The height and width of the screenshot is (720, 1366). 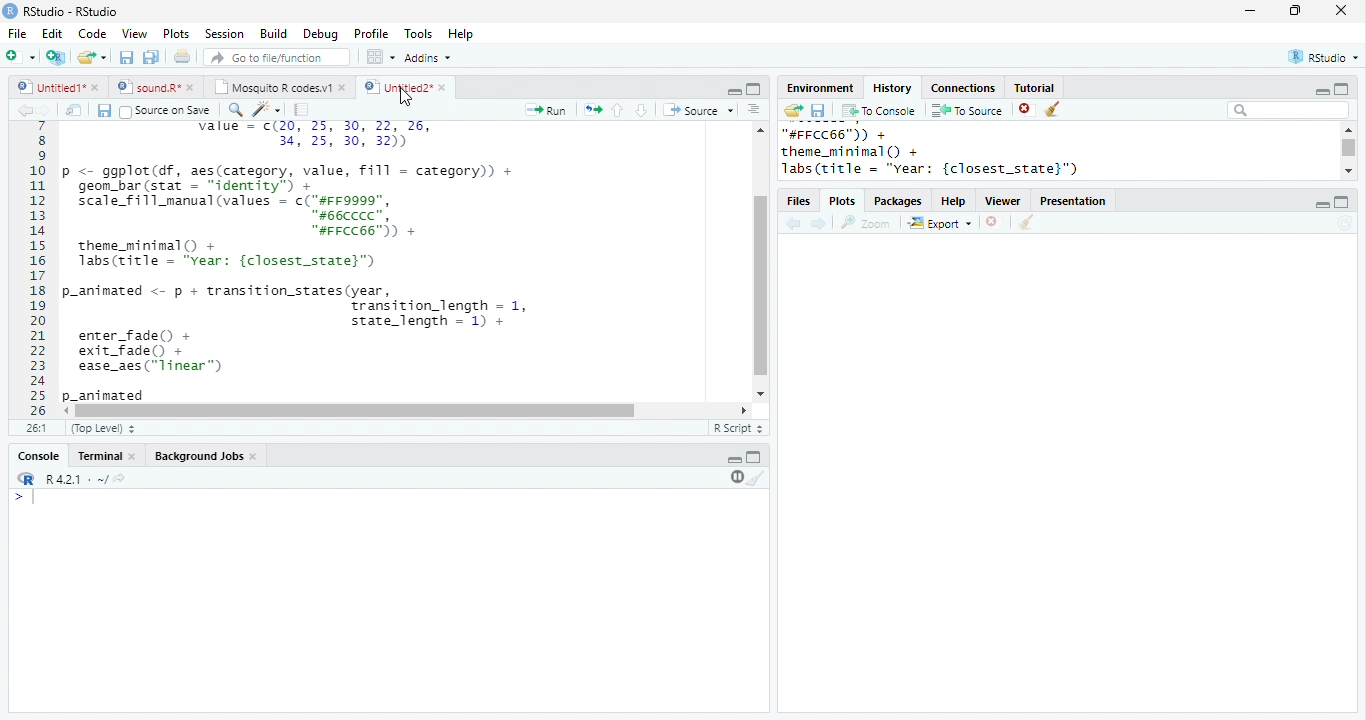 What do you see at coordinates (737, 427) in the screenshot?
I see `R Script` at bounding box center [737, 427].